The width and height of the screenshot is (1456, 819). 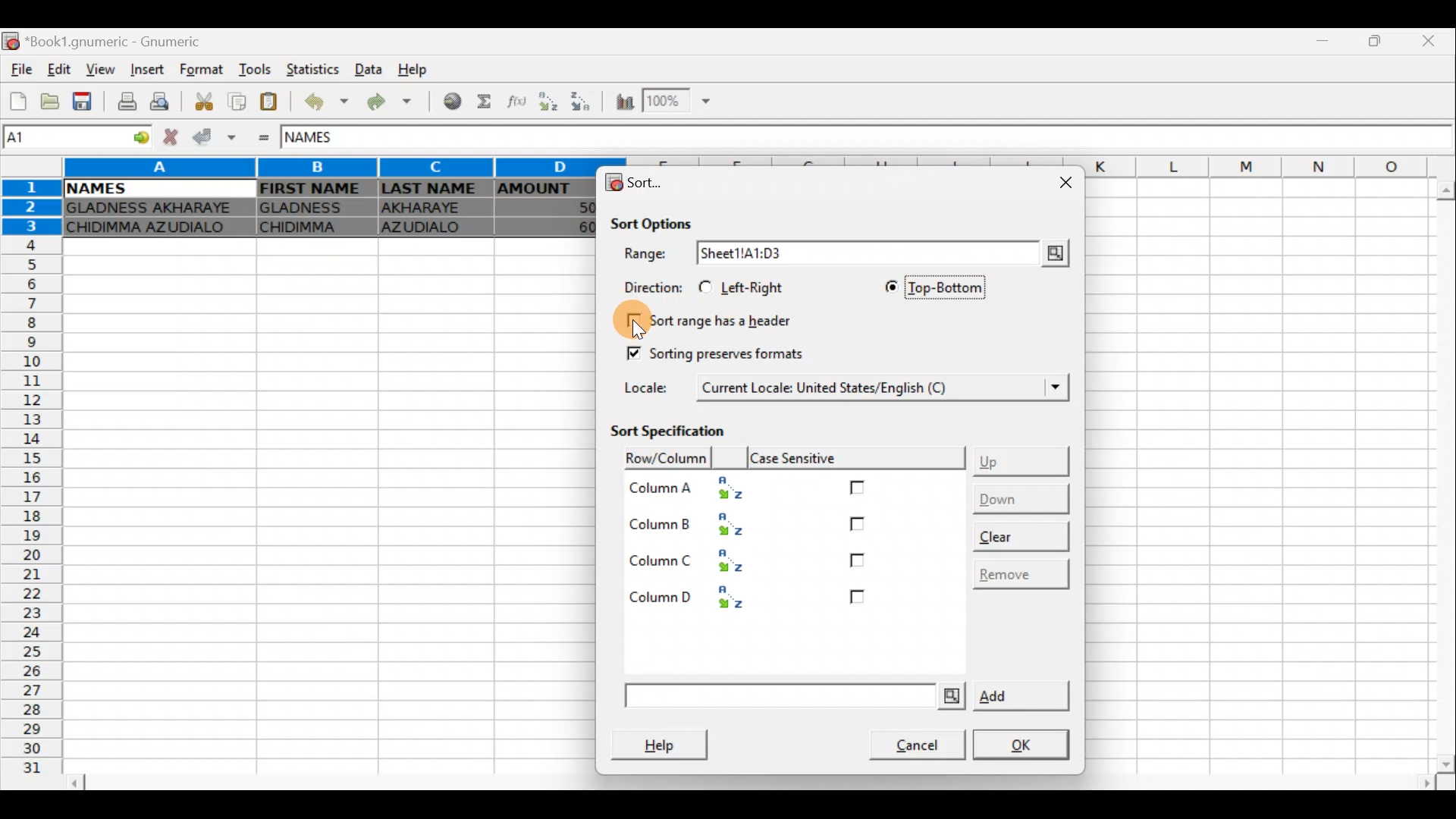 What do you see at coordinates (623, 320) in the screenshot?
I see `Cursor on sort range has a header` at bounding box center [623, 320].